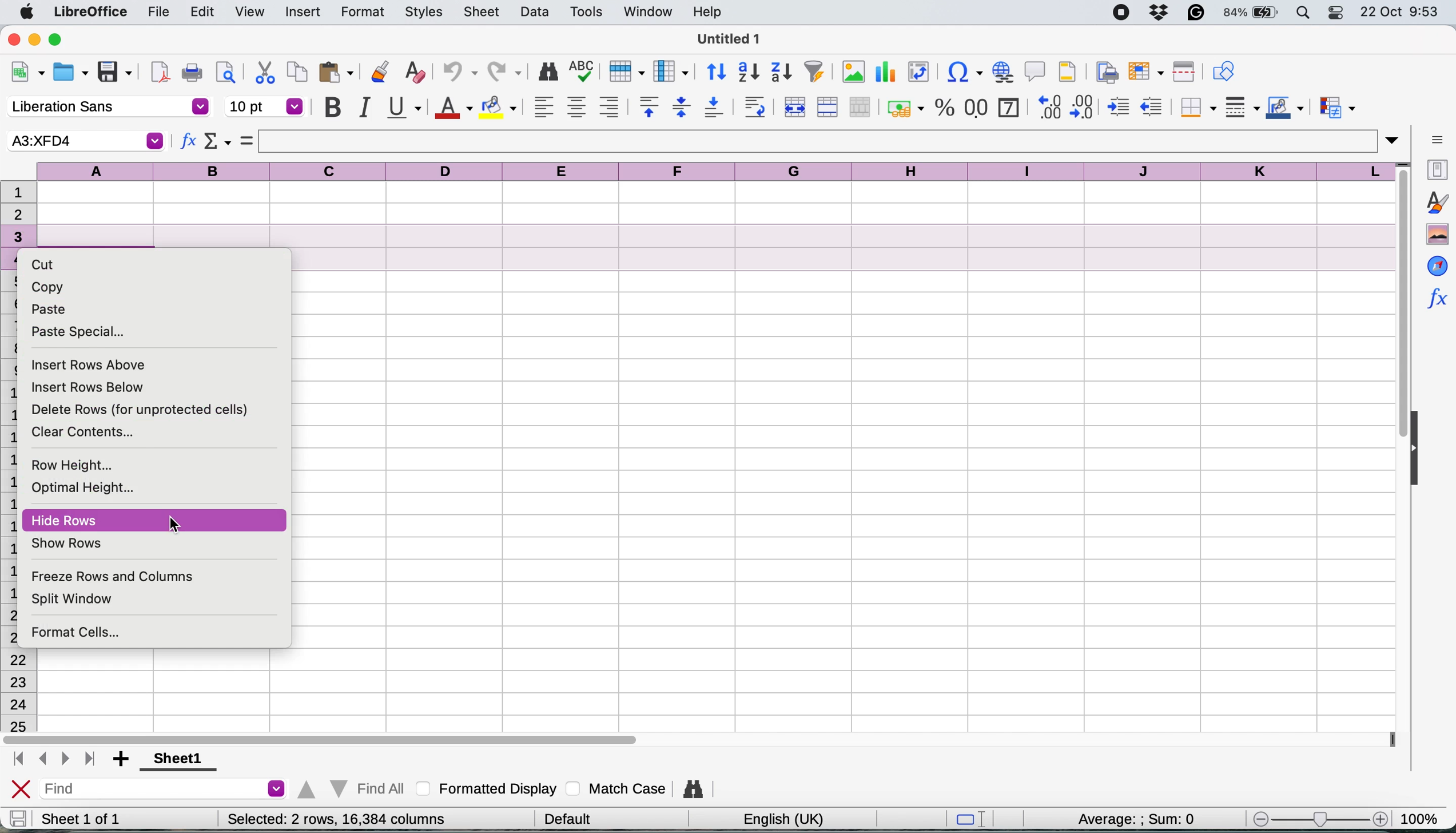  What do you see at coordinates (782, 73) in the screenshot?
I see `sort descending` at bounding box center [782, 73].